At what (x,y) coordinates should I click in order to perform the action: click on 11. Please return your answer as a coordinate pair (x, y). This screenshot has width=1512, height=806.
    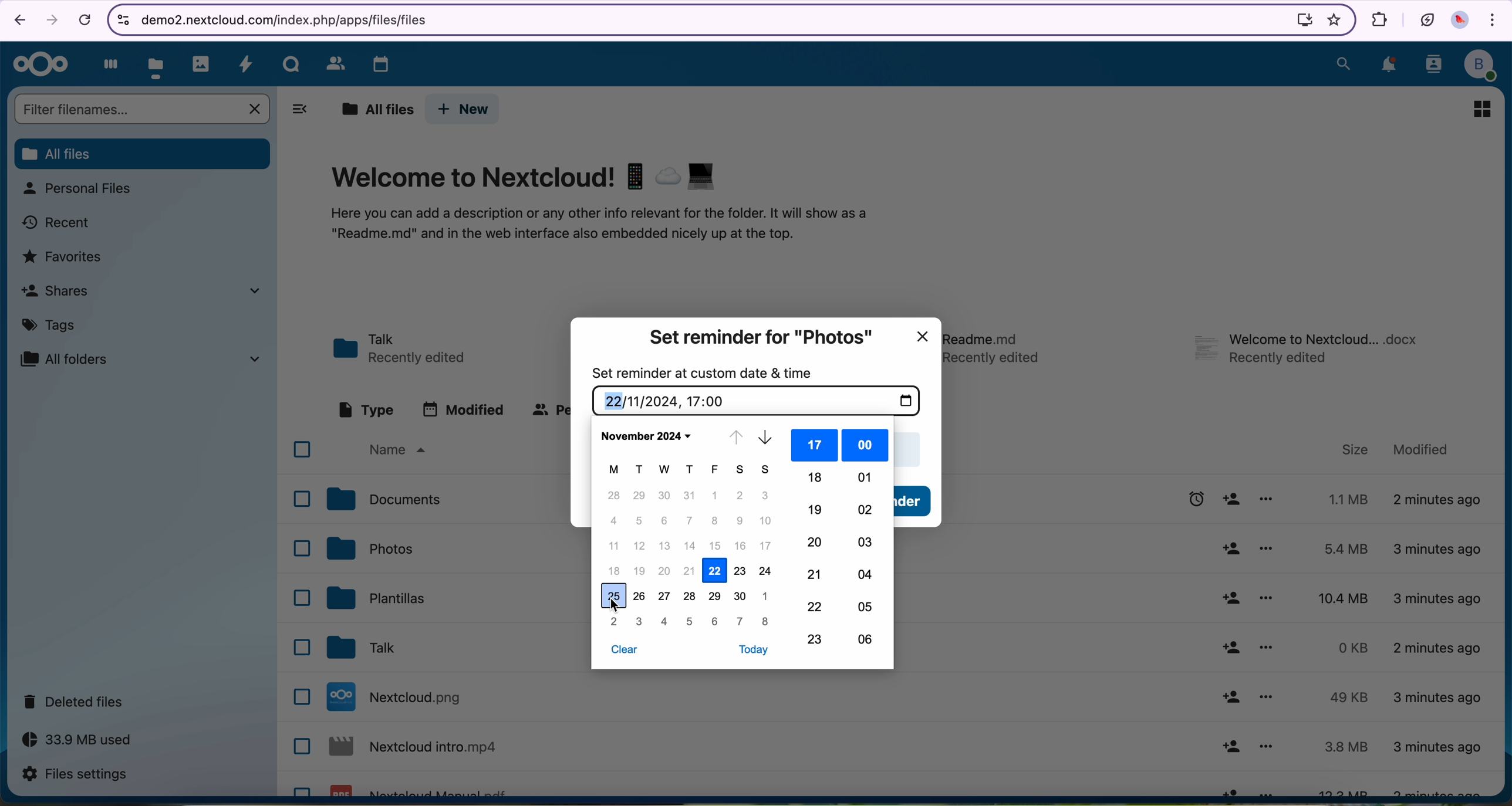
    Looking at the image, I should click on (612, 545).